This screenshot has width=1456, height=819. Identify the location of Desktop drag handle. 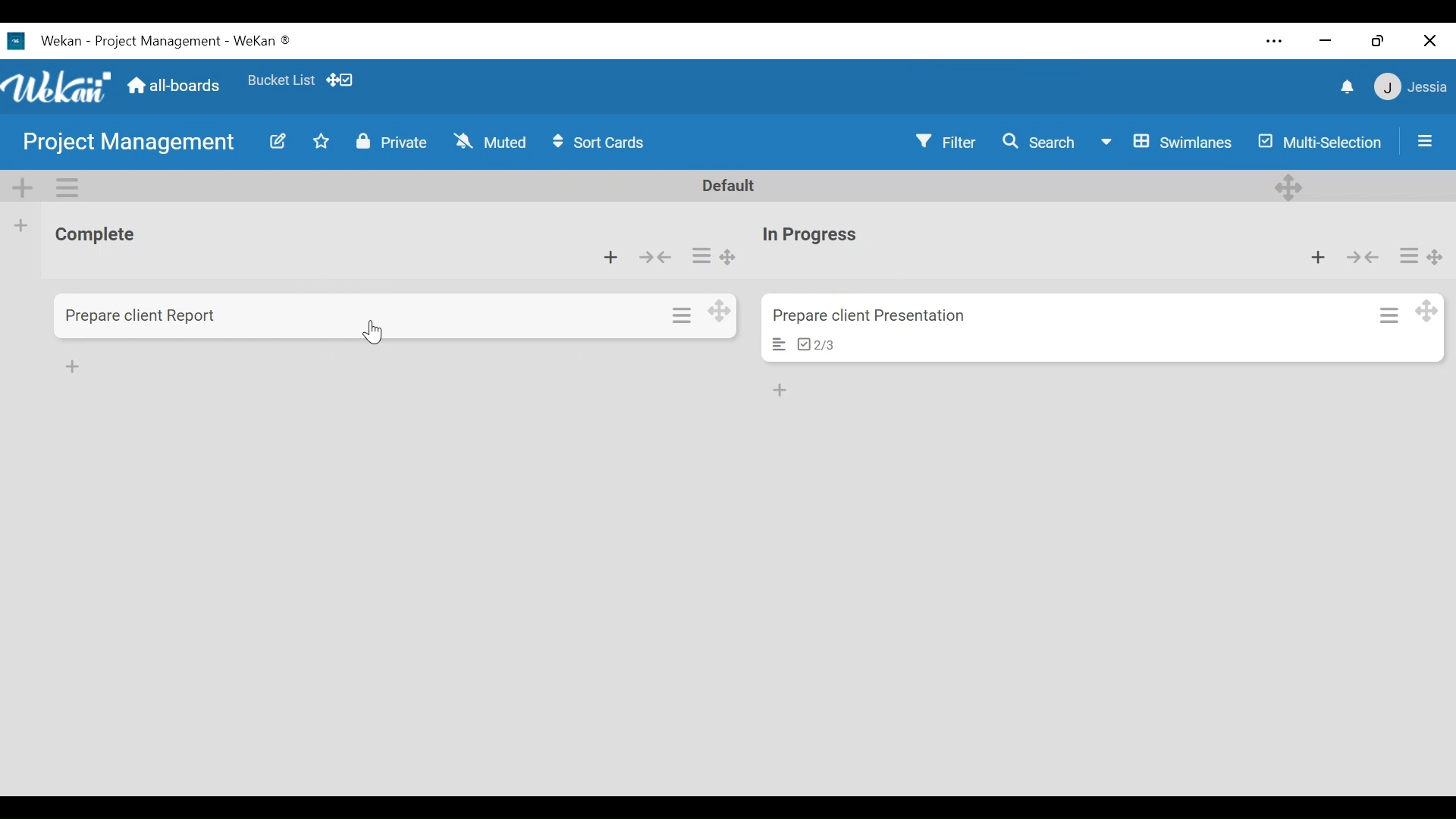
(726, 257).